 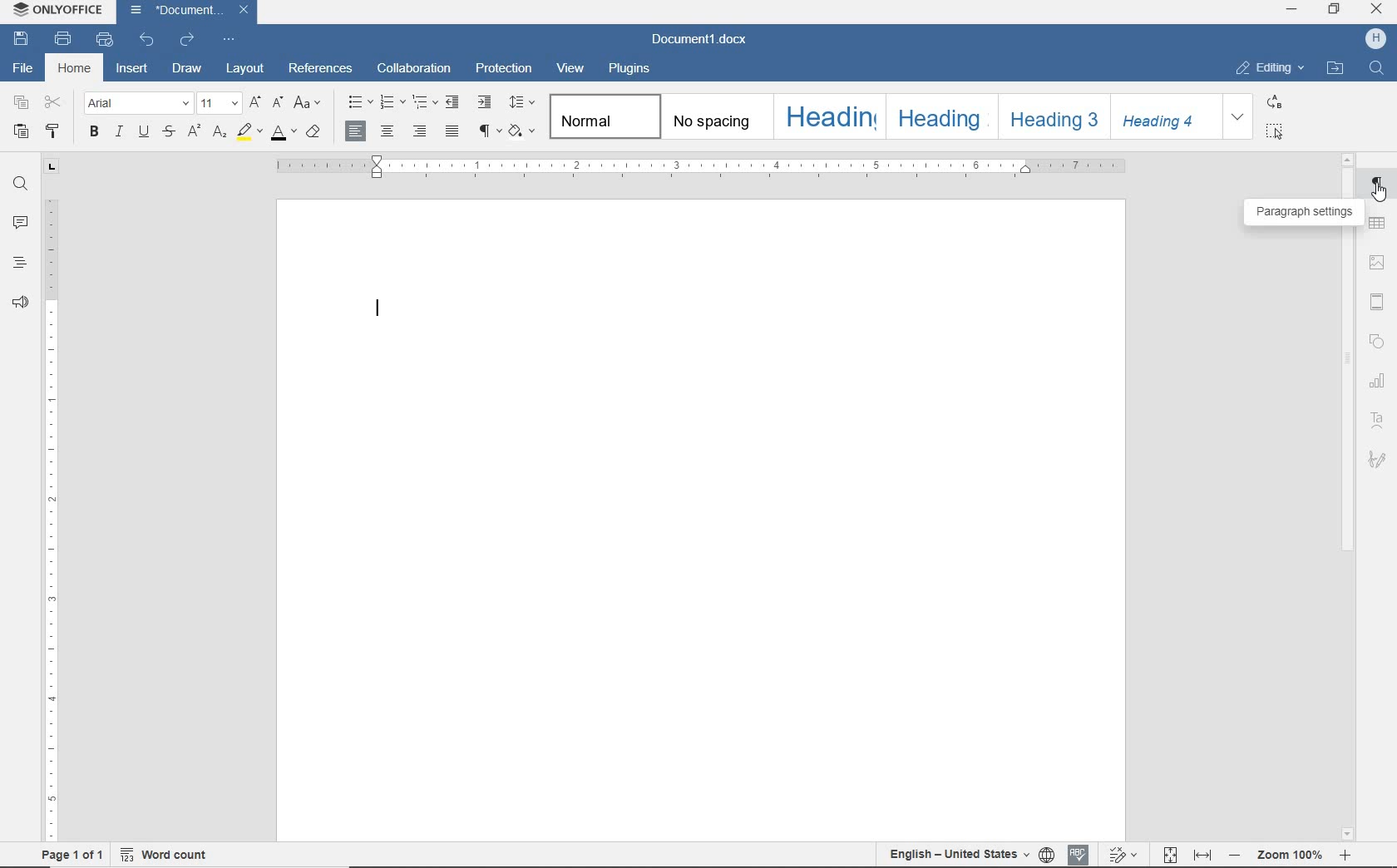 I want to click on paste, so click(x=21, y=131).